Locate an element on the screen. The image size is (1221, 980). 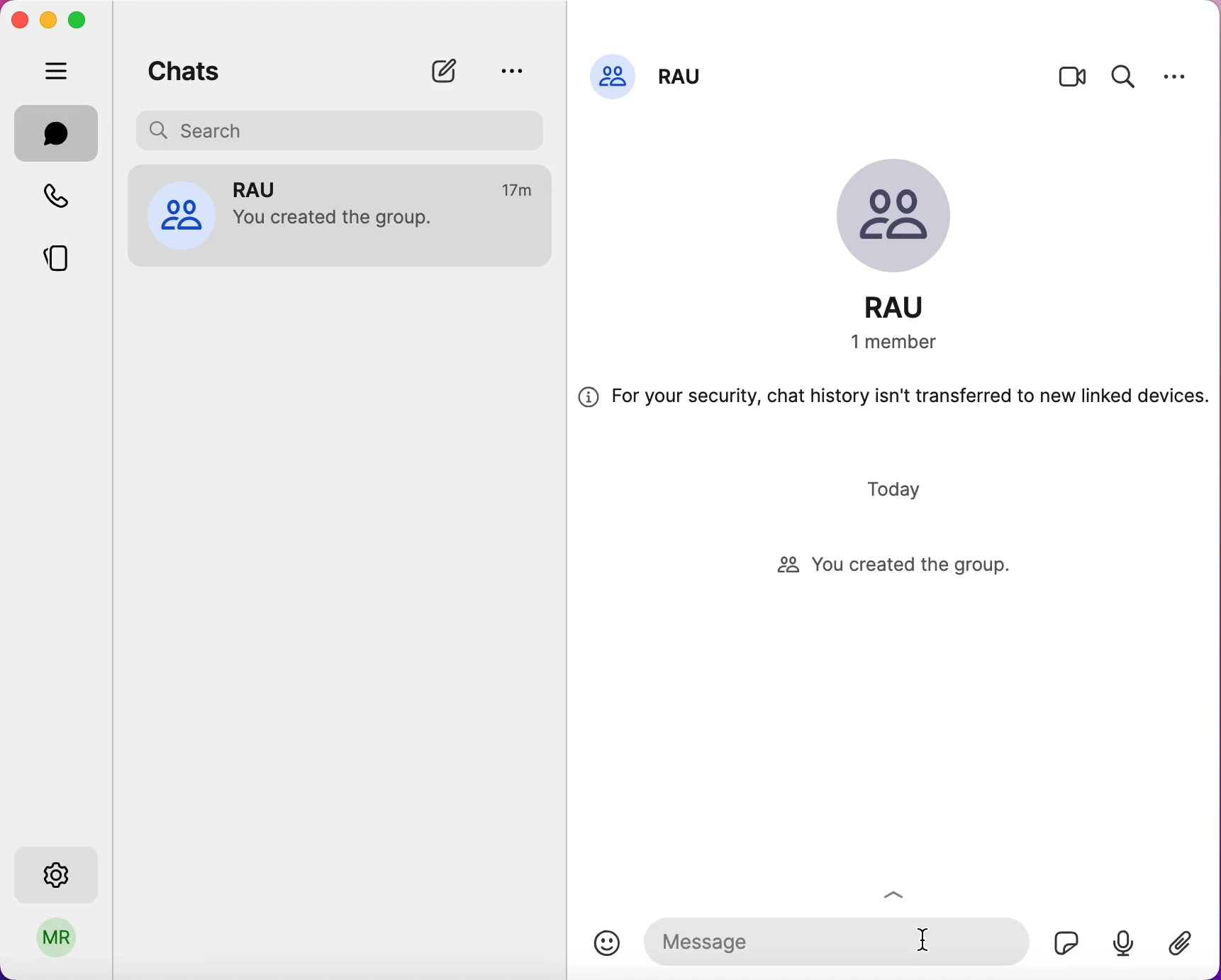
search bar is located at coordinates (345, 128).